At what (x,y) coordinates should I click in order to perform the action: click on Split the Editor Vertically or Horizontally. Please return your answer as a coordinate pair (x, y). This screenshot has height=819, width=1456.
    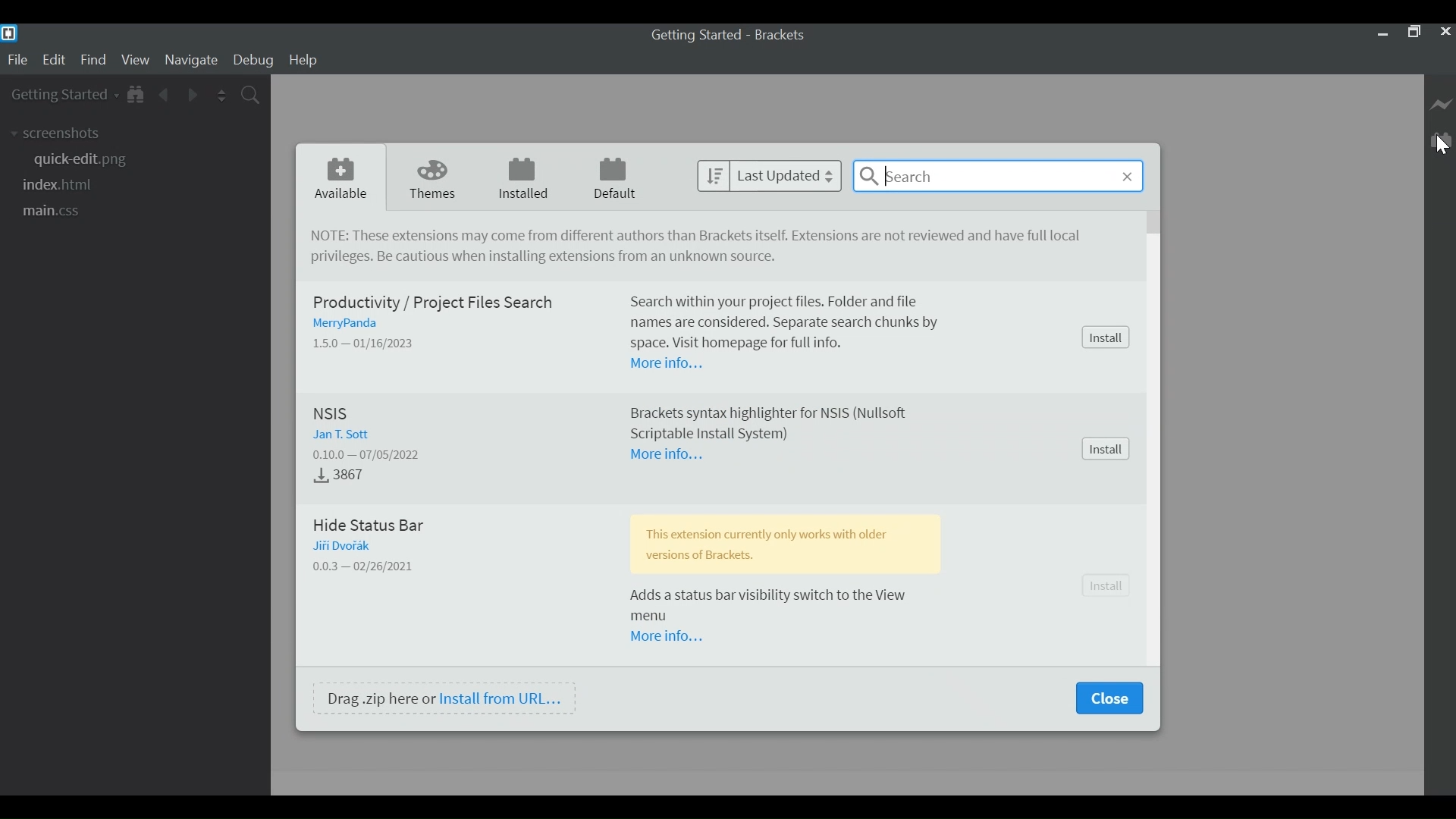
    Looking at the image, I should click on (222, 94).